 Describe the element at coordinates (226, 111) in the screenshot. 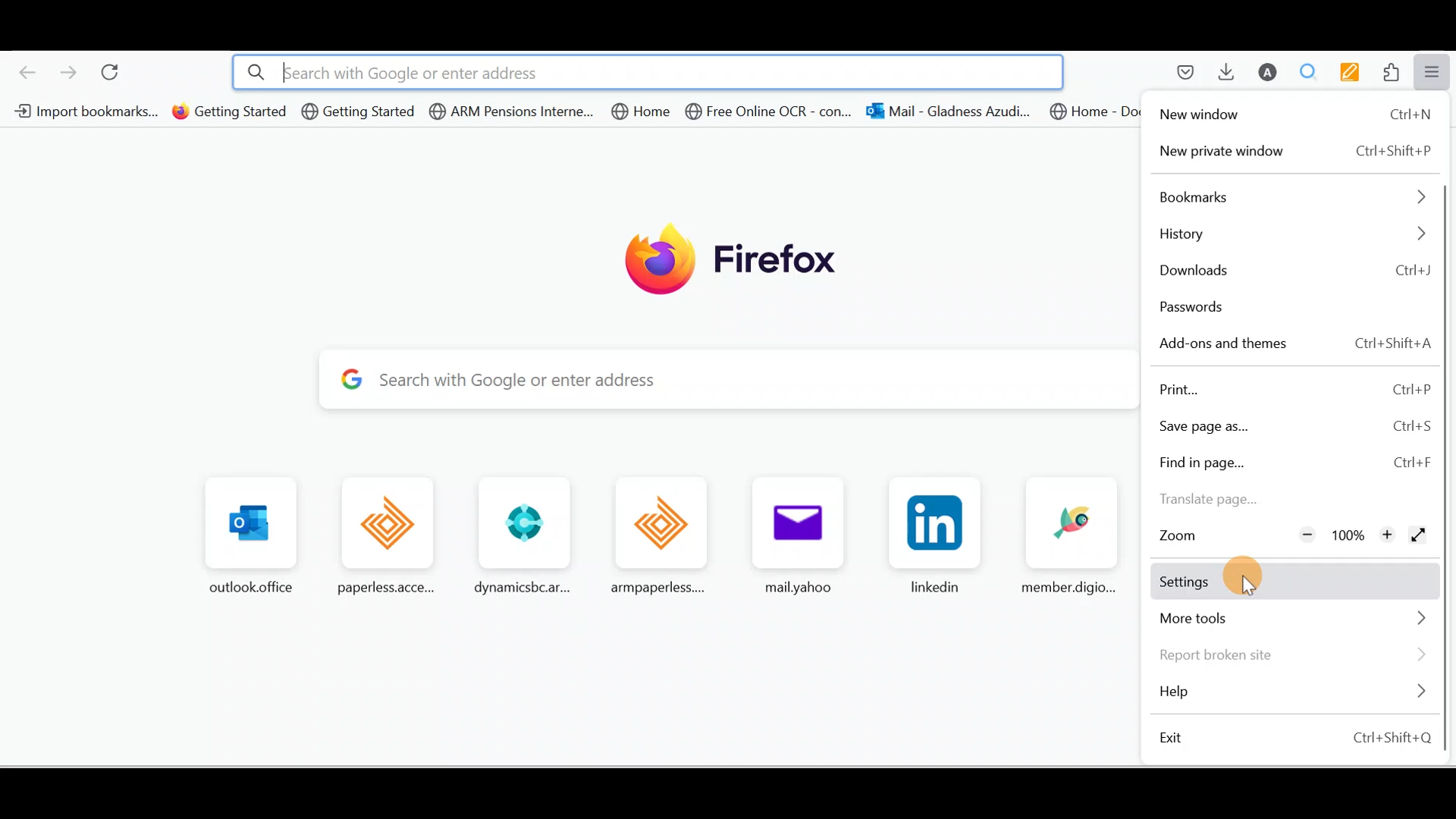

I see `Bookmark 2` at that location.